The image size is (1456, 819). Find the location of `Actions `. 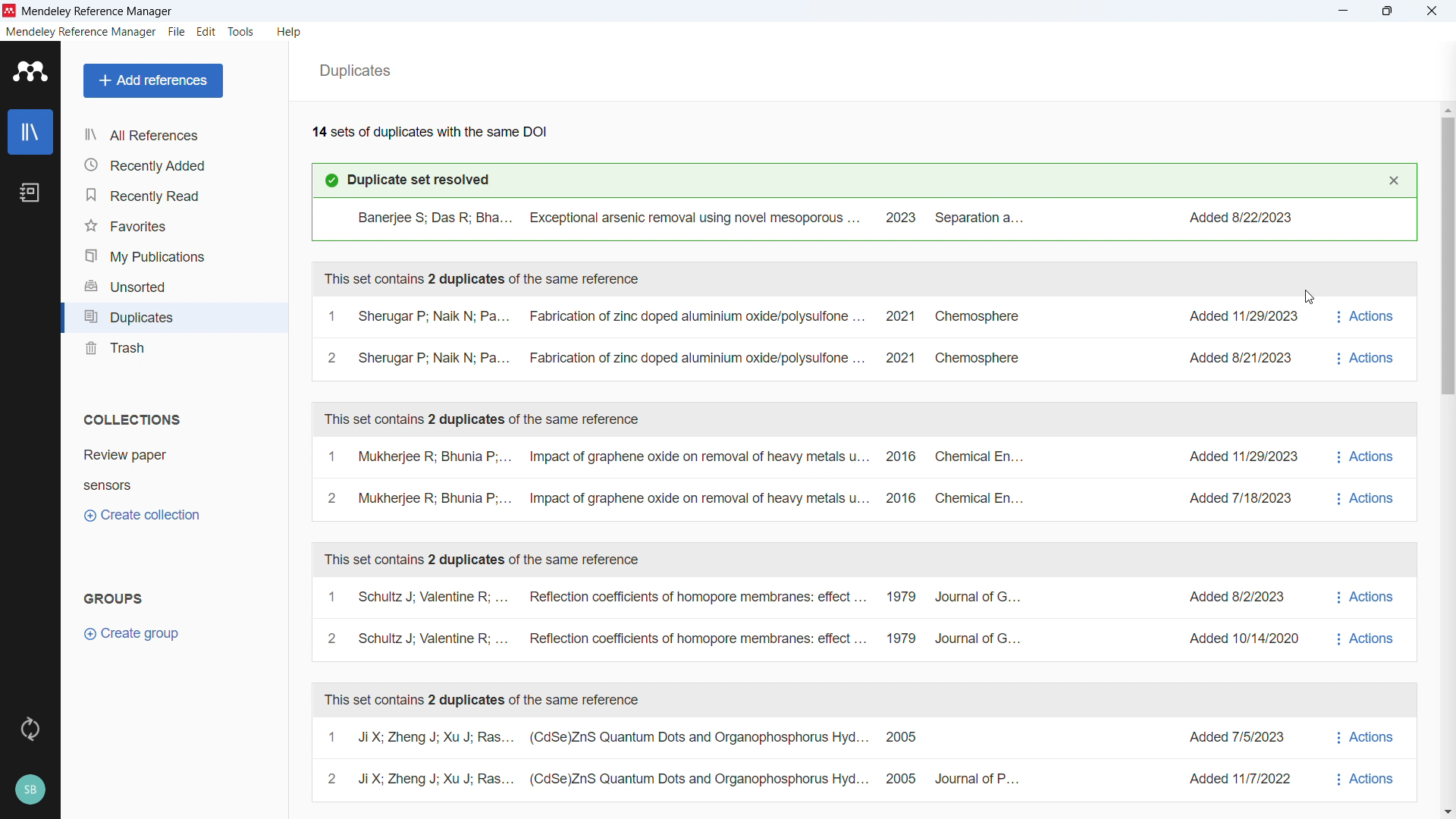

Actions  is located at coordinates (1367, 337).